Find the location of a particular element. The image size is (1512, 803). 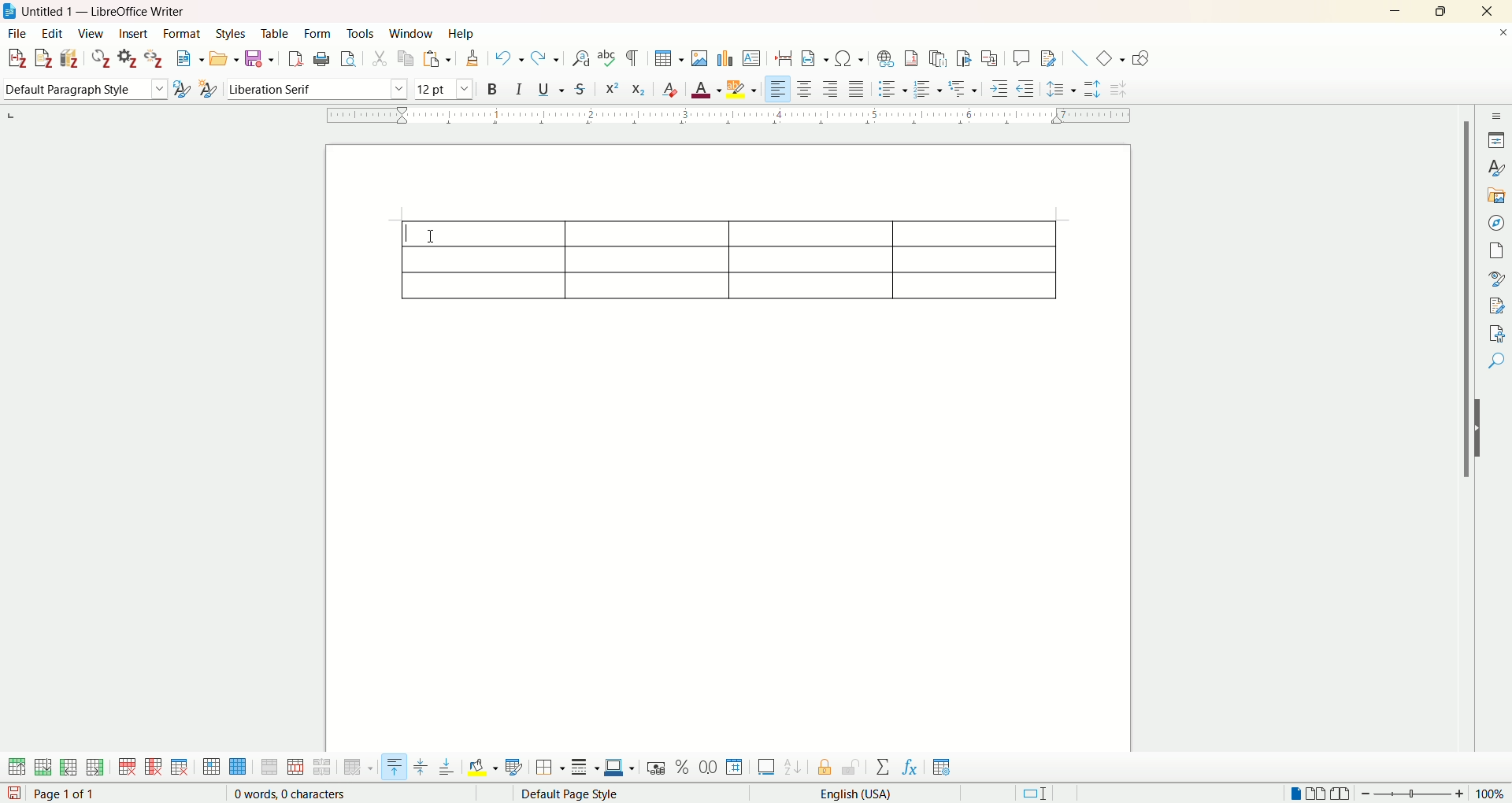

underline is located at coordinates (552, 92).